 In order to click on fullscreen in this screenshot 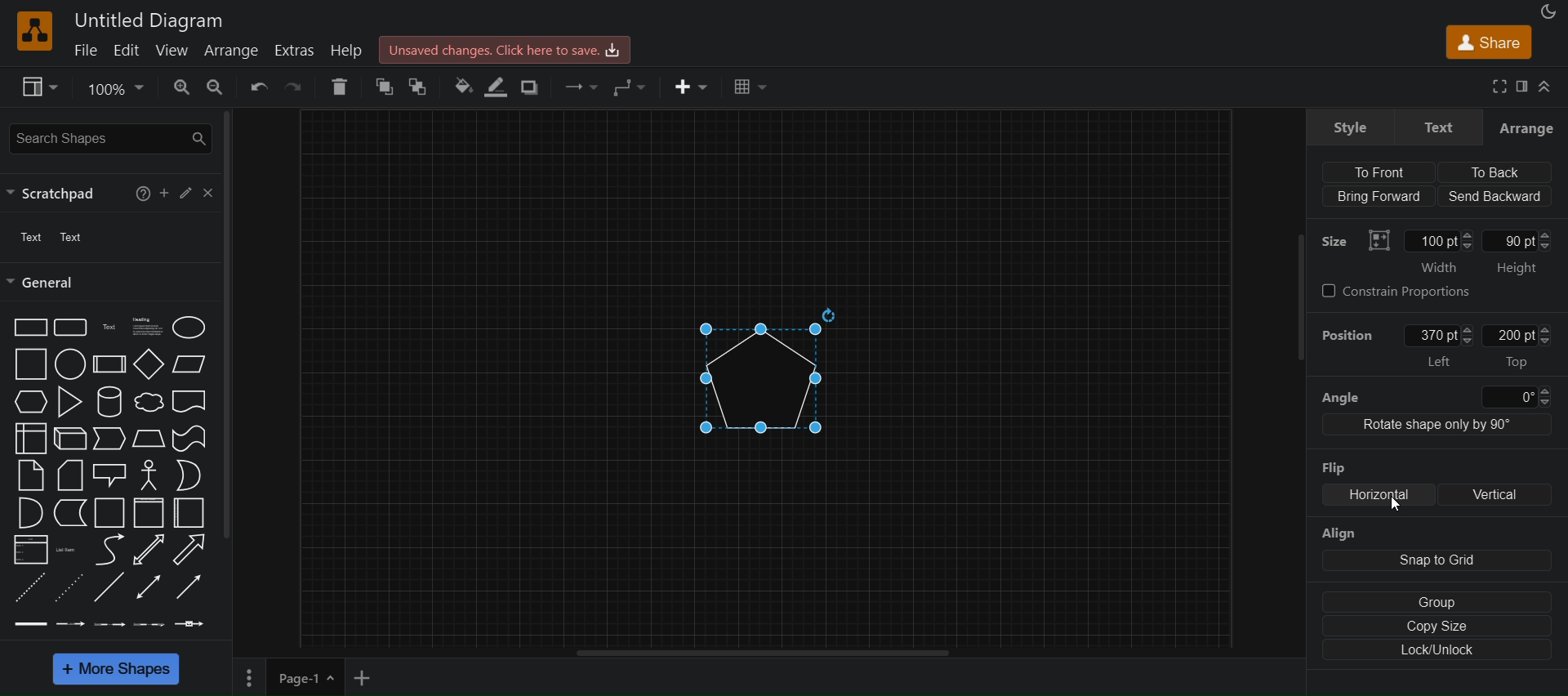, I will do `click(1501, 86)`.